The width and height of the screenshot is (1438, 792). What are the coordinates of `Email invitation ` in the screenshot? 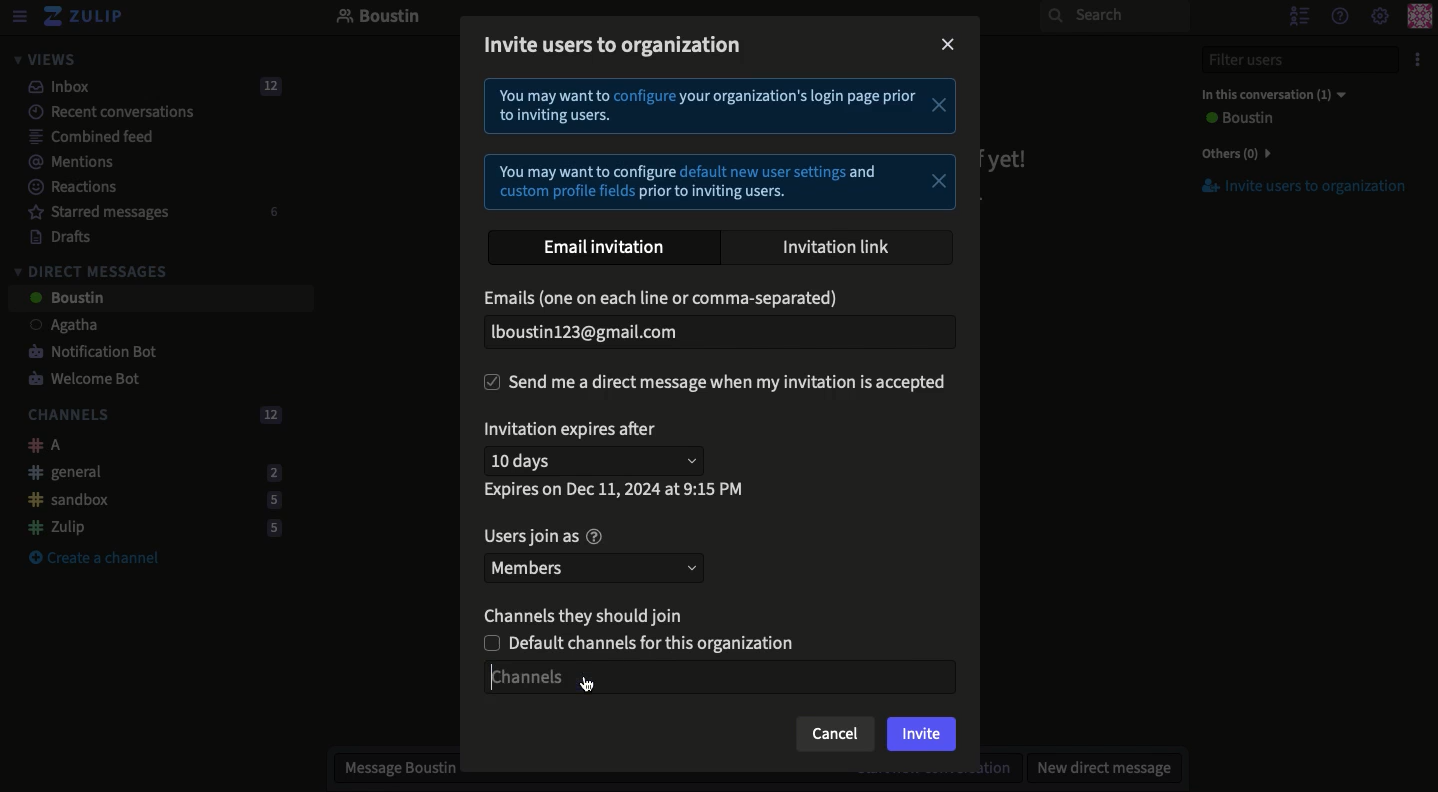 It's located at (607, 247).